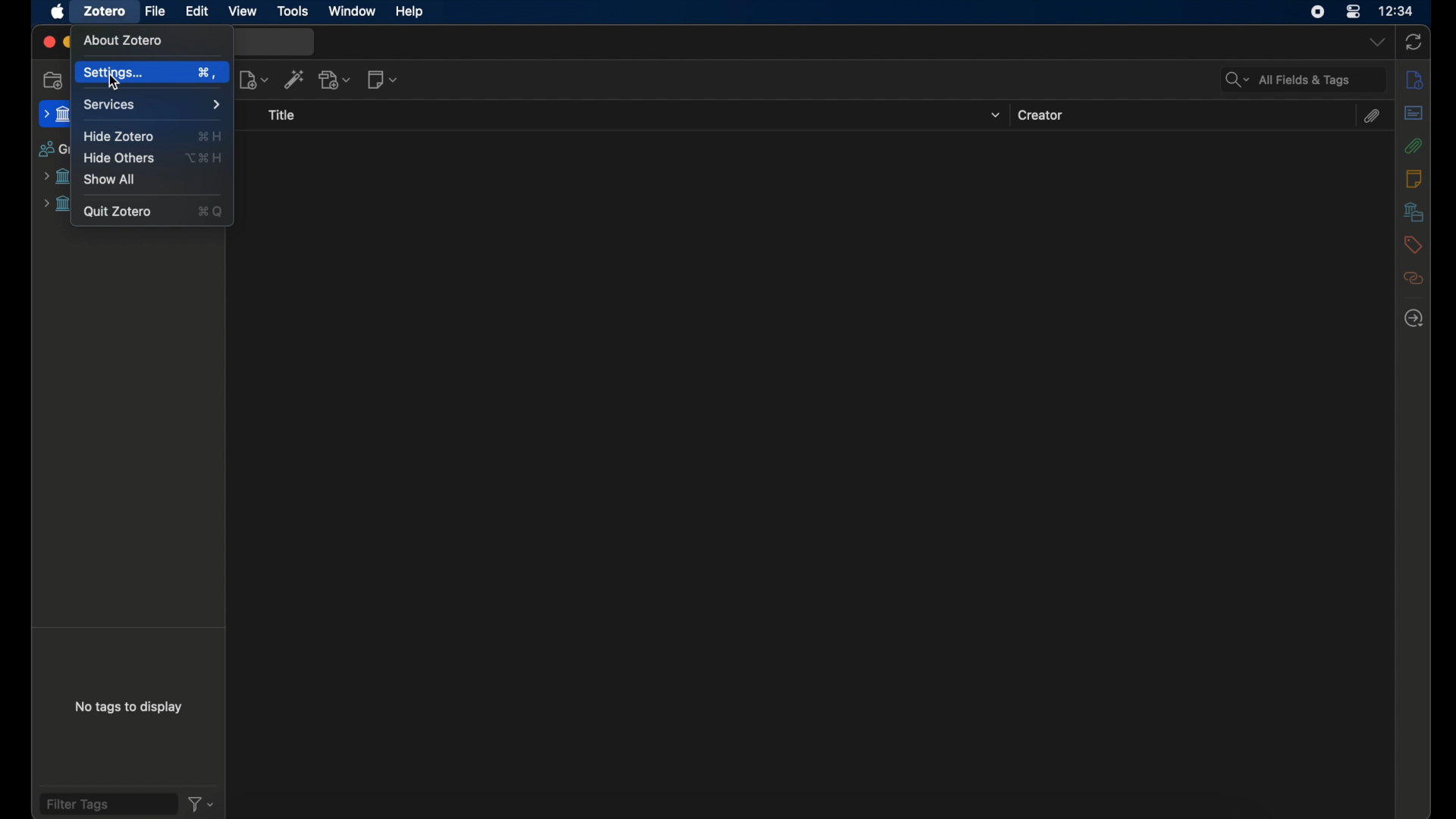 The height and width of the screenshot is (819, 1456). What do you see at coordinates (211, 136) in the screenshot?
I see `hide zotero shortcut` at bounding box center [211, 136].